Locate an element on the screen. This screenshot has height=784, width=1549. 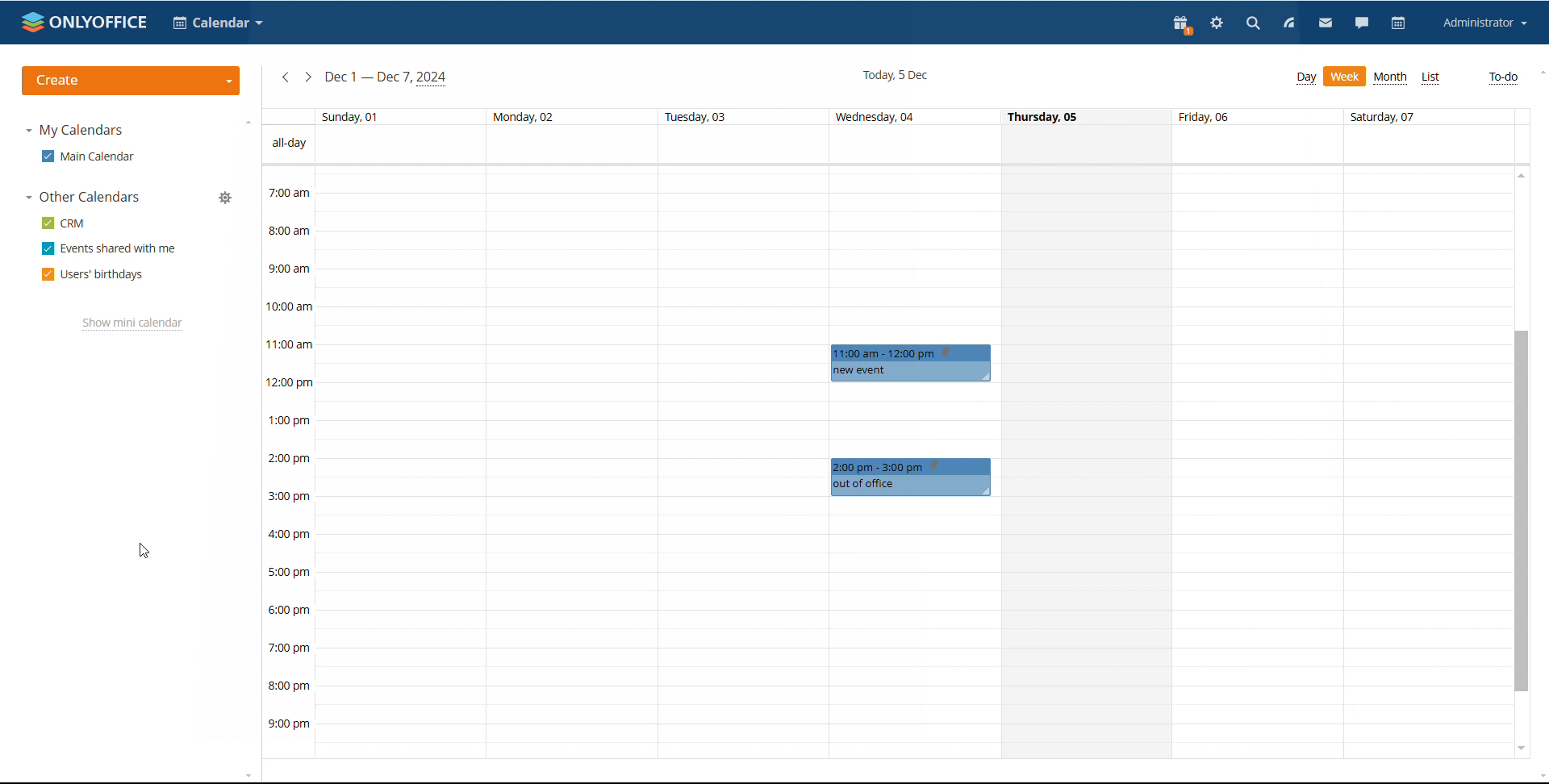
my calendars is located at coordinates (73, 131).